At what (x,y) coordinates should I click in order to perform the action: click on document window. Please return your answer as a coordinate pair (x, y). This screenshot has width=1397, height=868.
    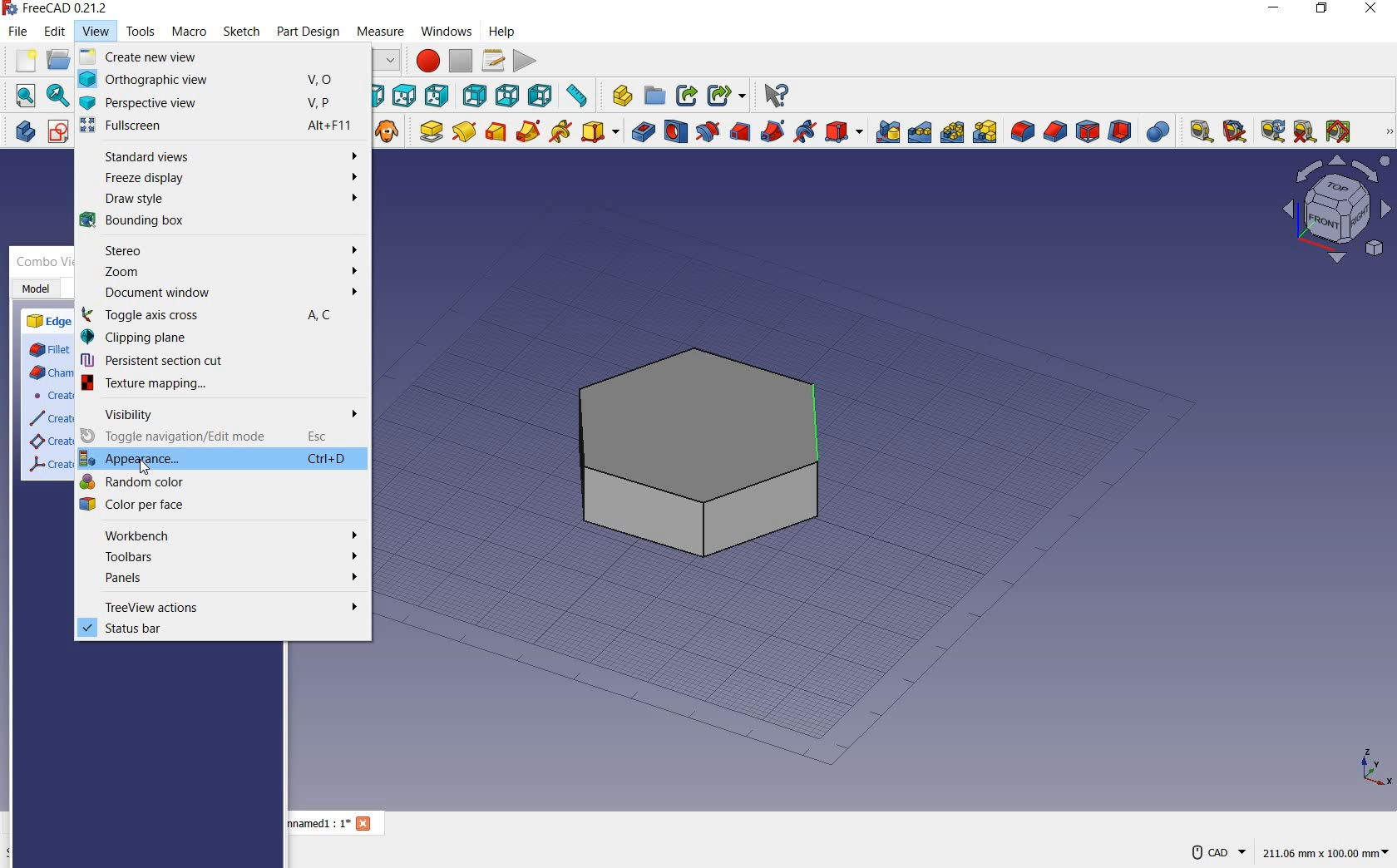
    Looking at the image, I should click on (221, 292).